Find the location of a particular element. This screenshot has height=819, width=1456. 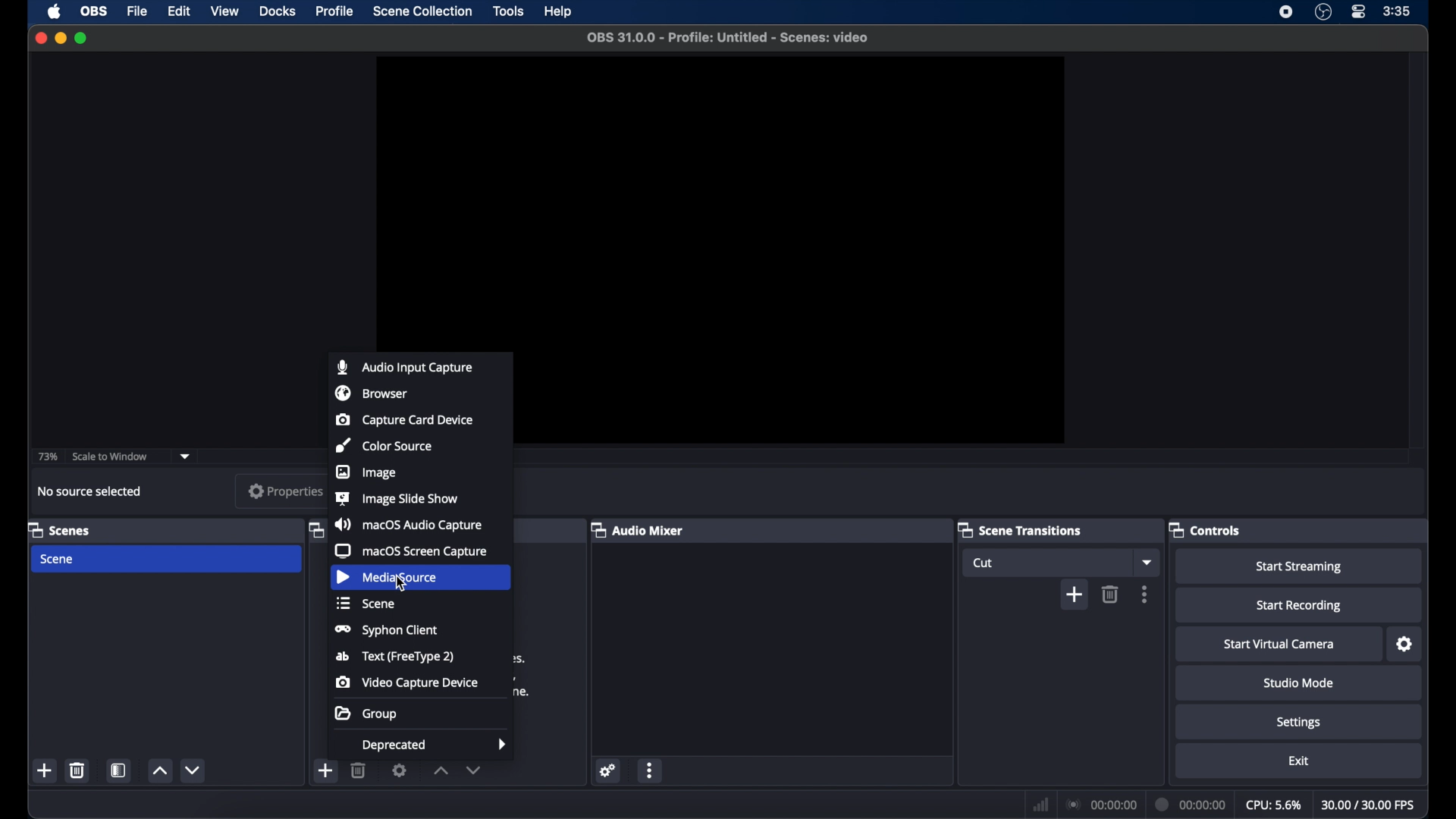

color source is located at coordinates (386, 445).